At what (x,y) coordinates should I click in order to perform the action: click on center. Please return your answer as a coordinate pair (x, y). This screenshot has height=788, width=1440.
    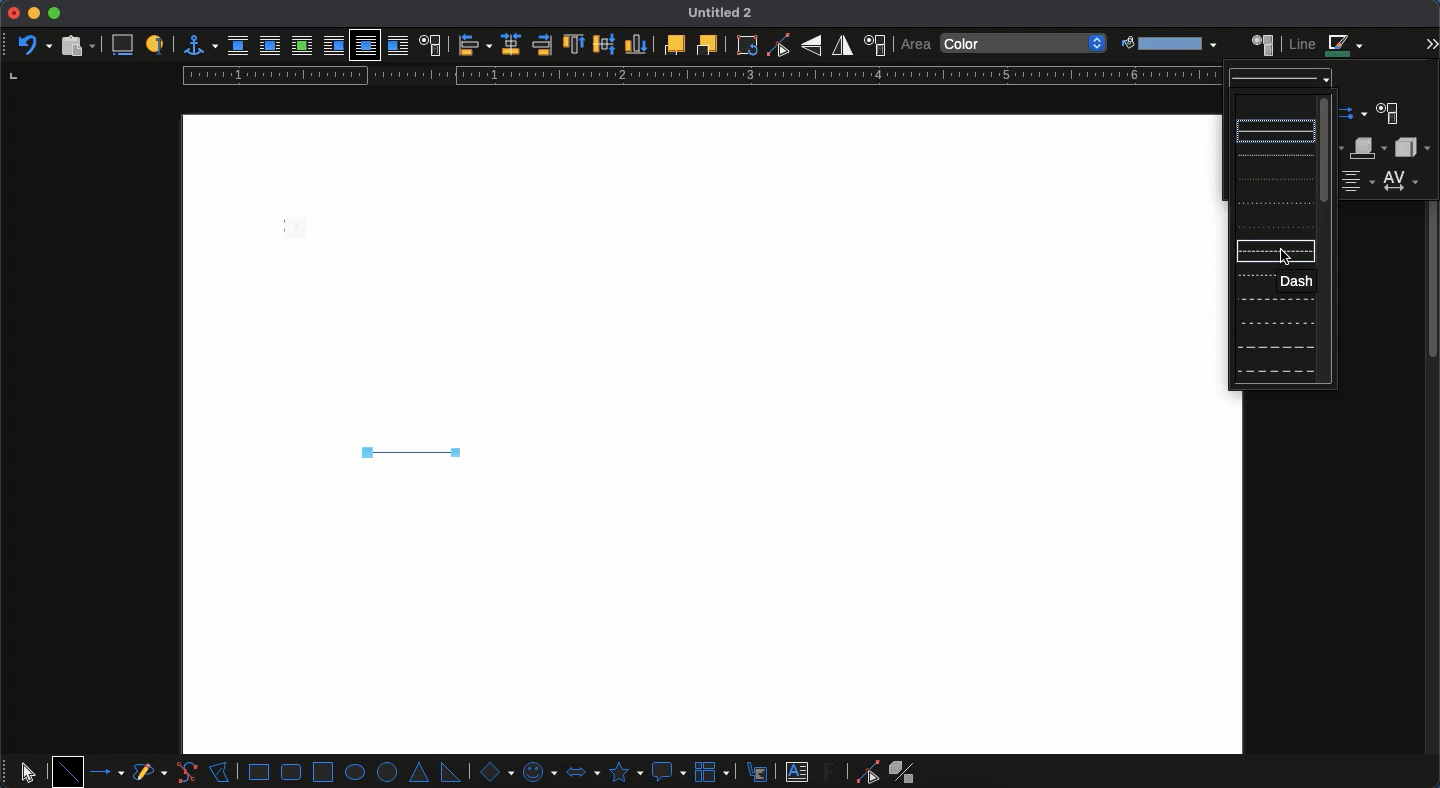
    Looking at the image, I should click on (511, 44).